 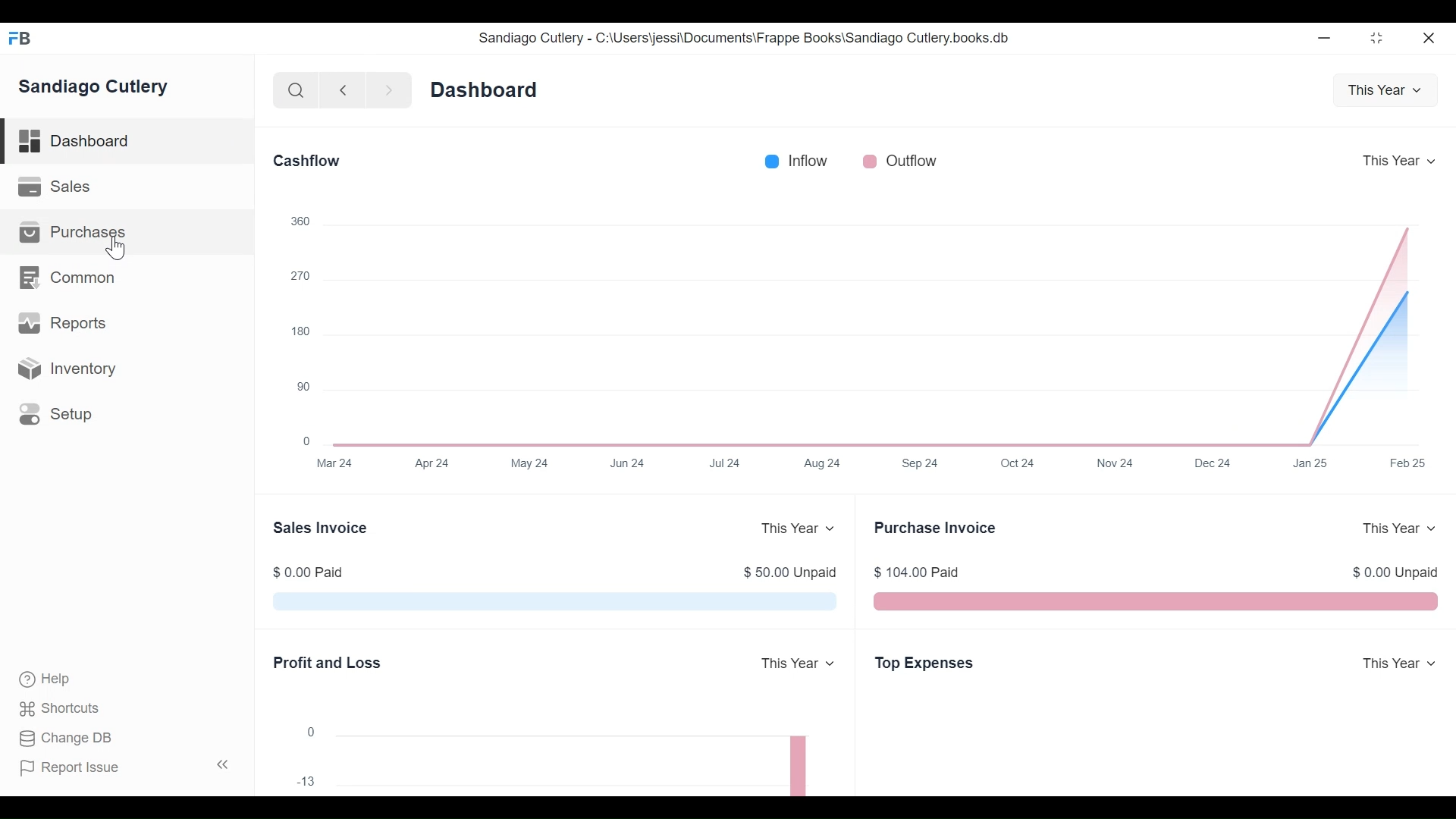 I want to click on Jul 24, so click(x=725, y=463).